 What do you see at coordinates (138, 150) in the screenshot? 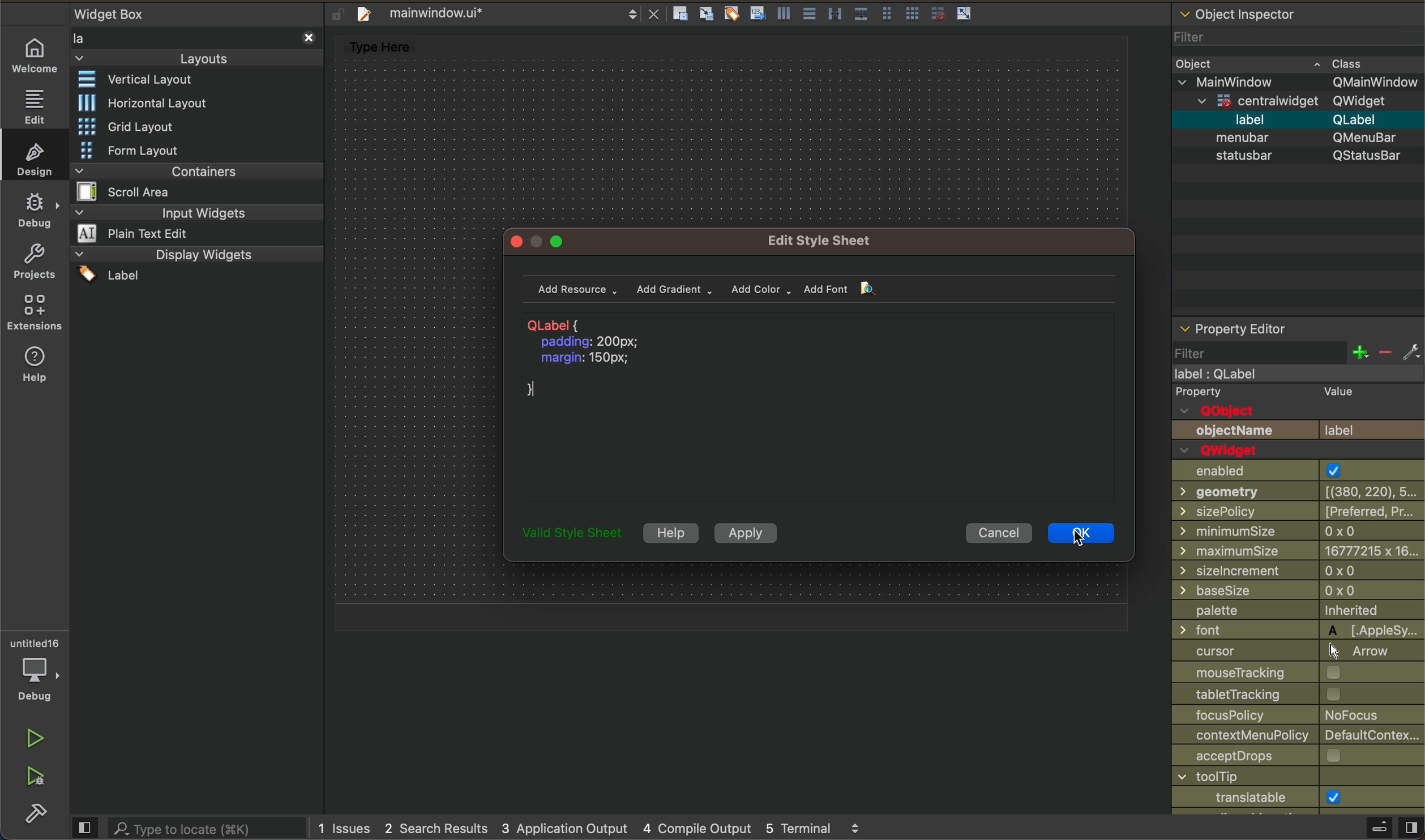
I see `form layout` at bounding box center [138, 150].